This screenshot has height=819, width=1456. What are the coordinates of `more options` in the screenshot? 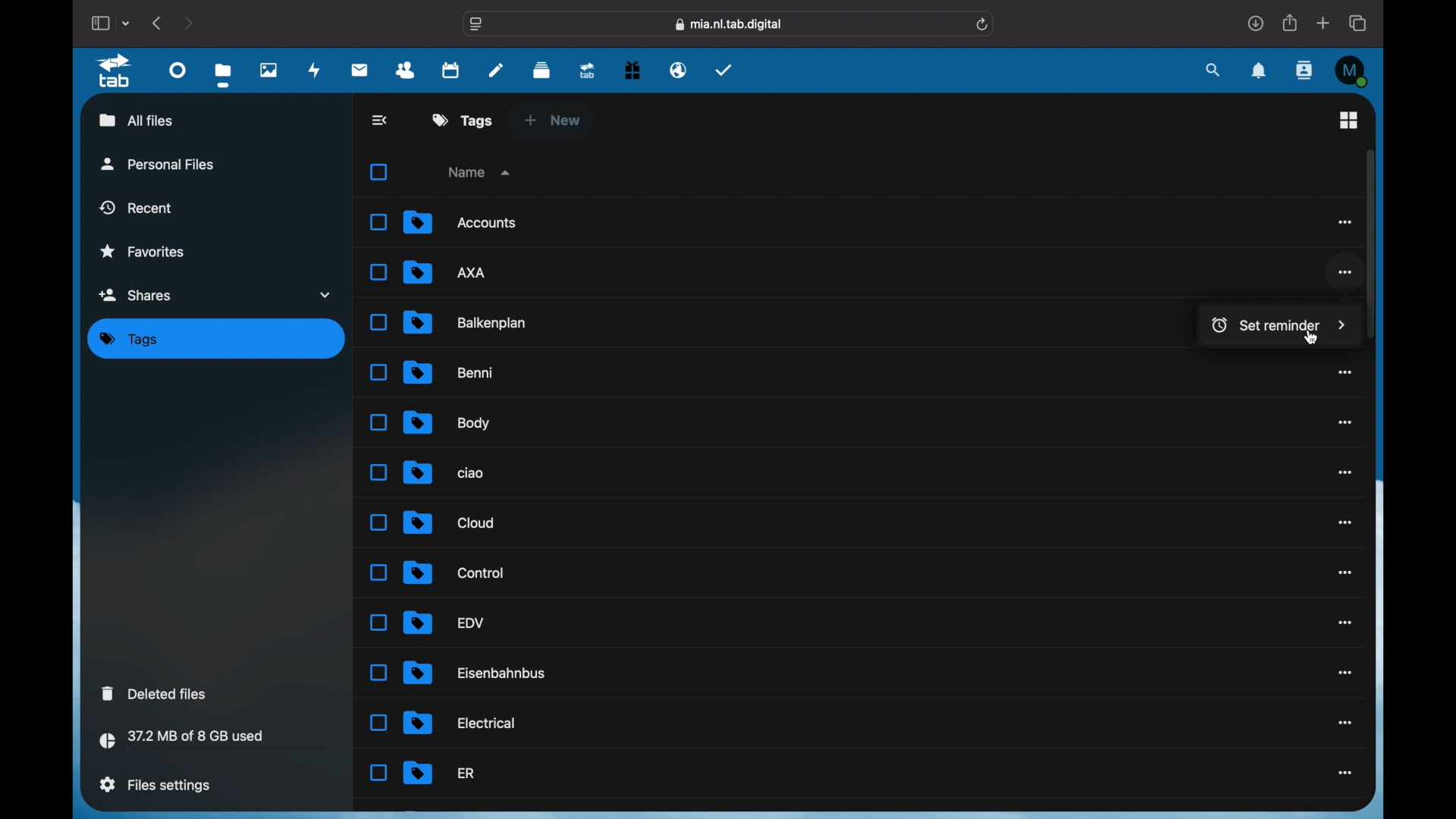 It's located at (1343, 221).